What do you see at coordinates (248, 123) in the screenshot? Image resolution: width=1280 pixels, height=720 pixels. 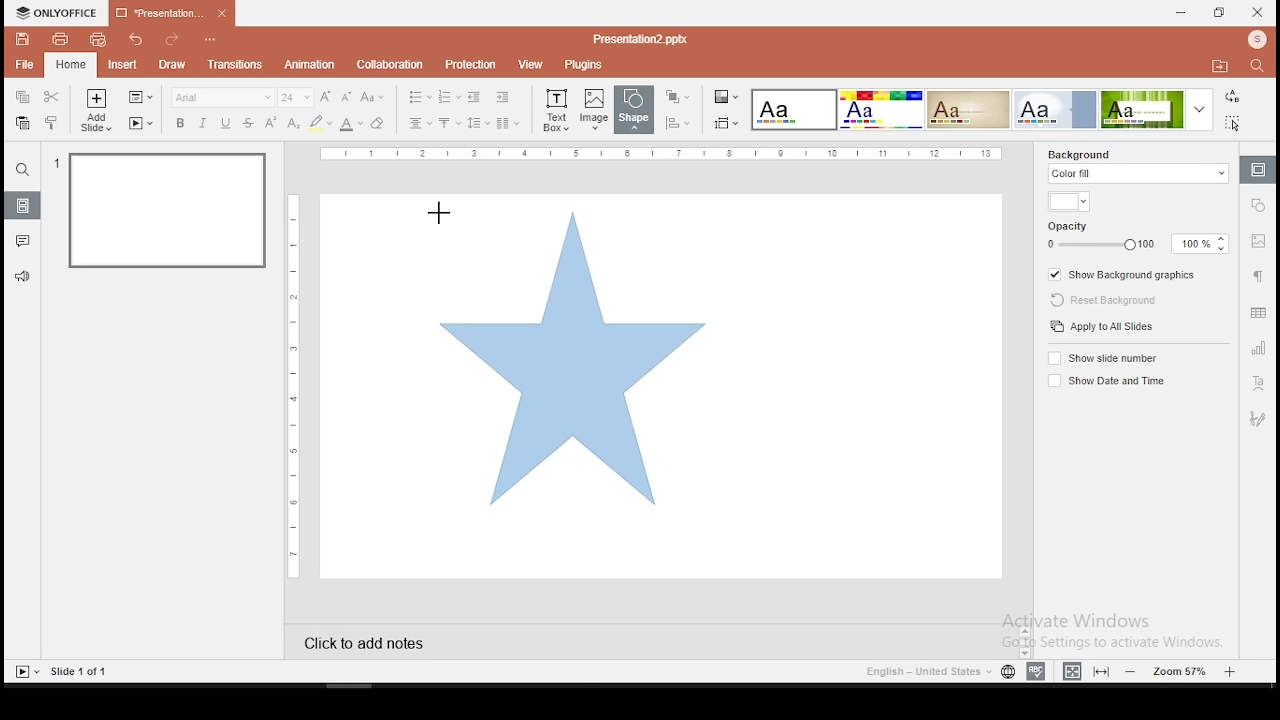 I see `strikethrough` at bounding box center [248, 123].